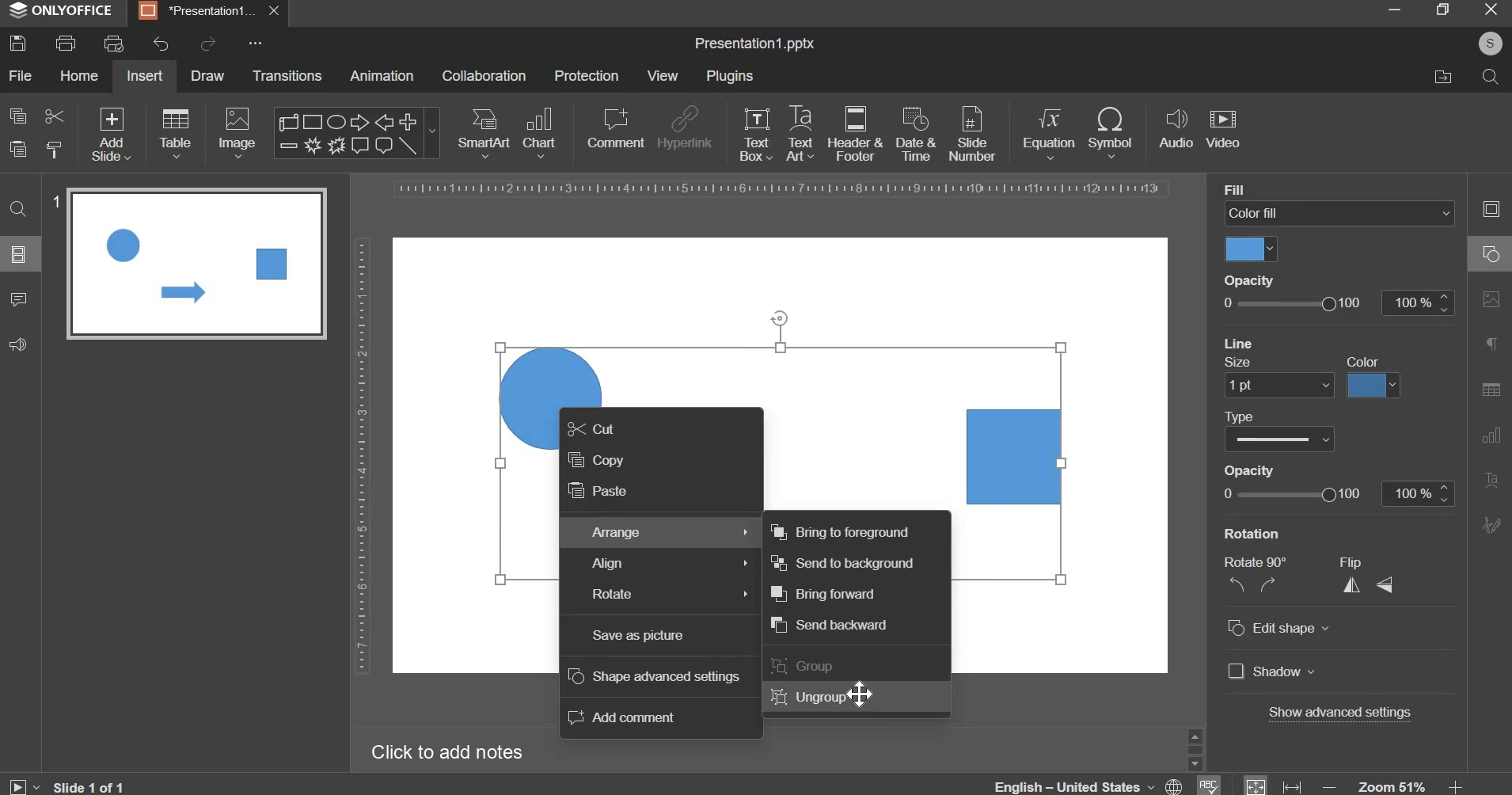 Image resolution: width=1512 pixels, height=795 pixels. What do you see at coordinates (176, 132) in the screenshot?
I see `table` at bounding box center [176, 132].